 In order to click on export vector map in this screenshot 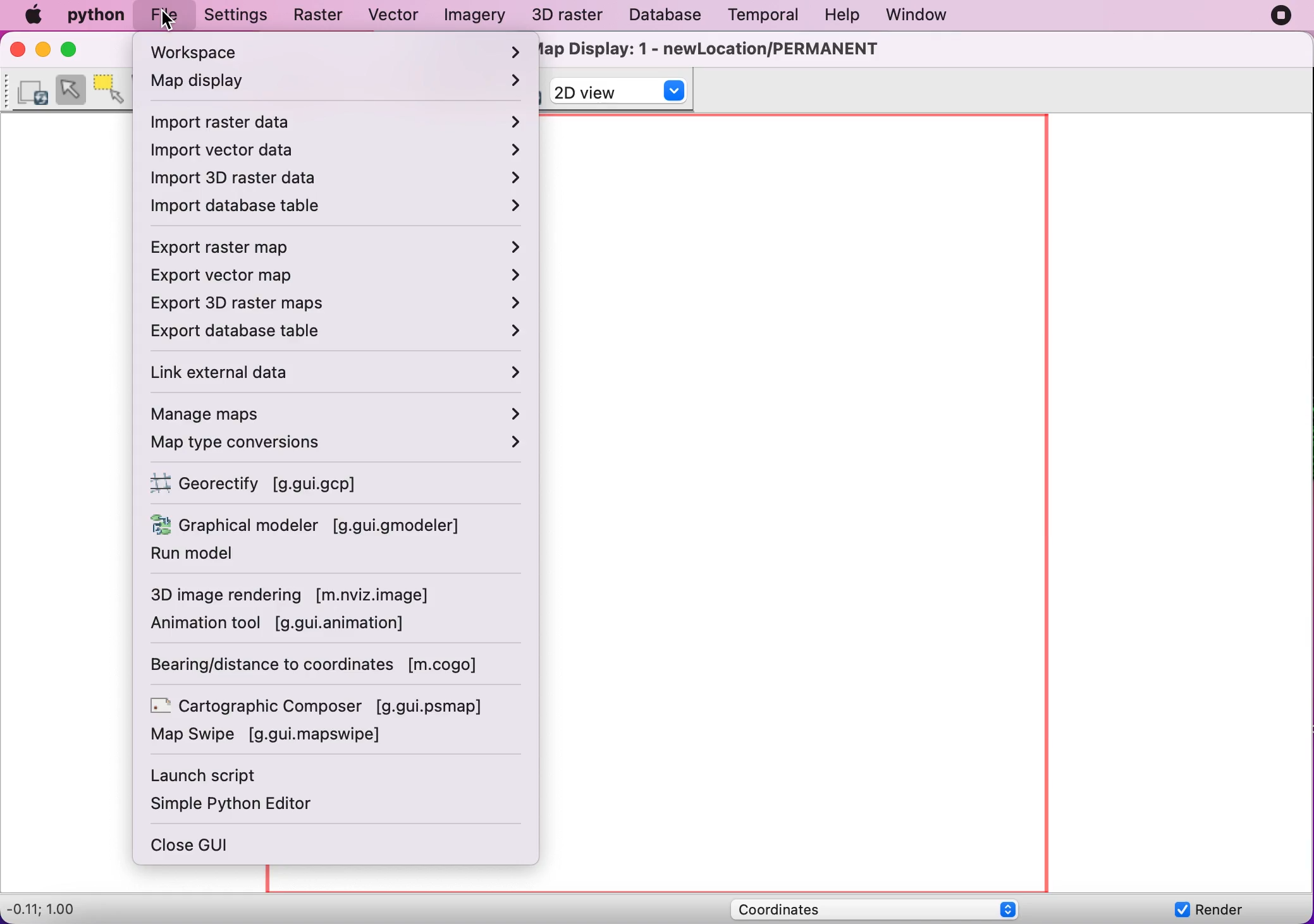, I will do `click(343, 276)`.